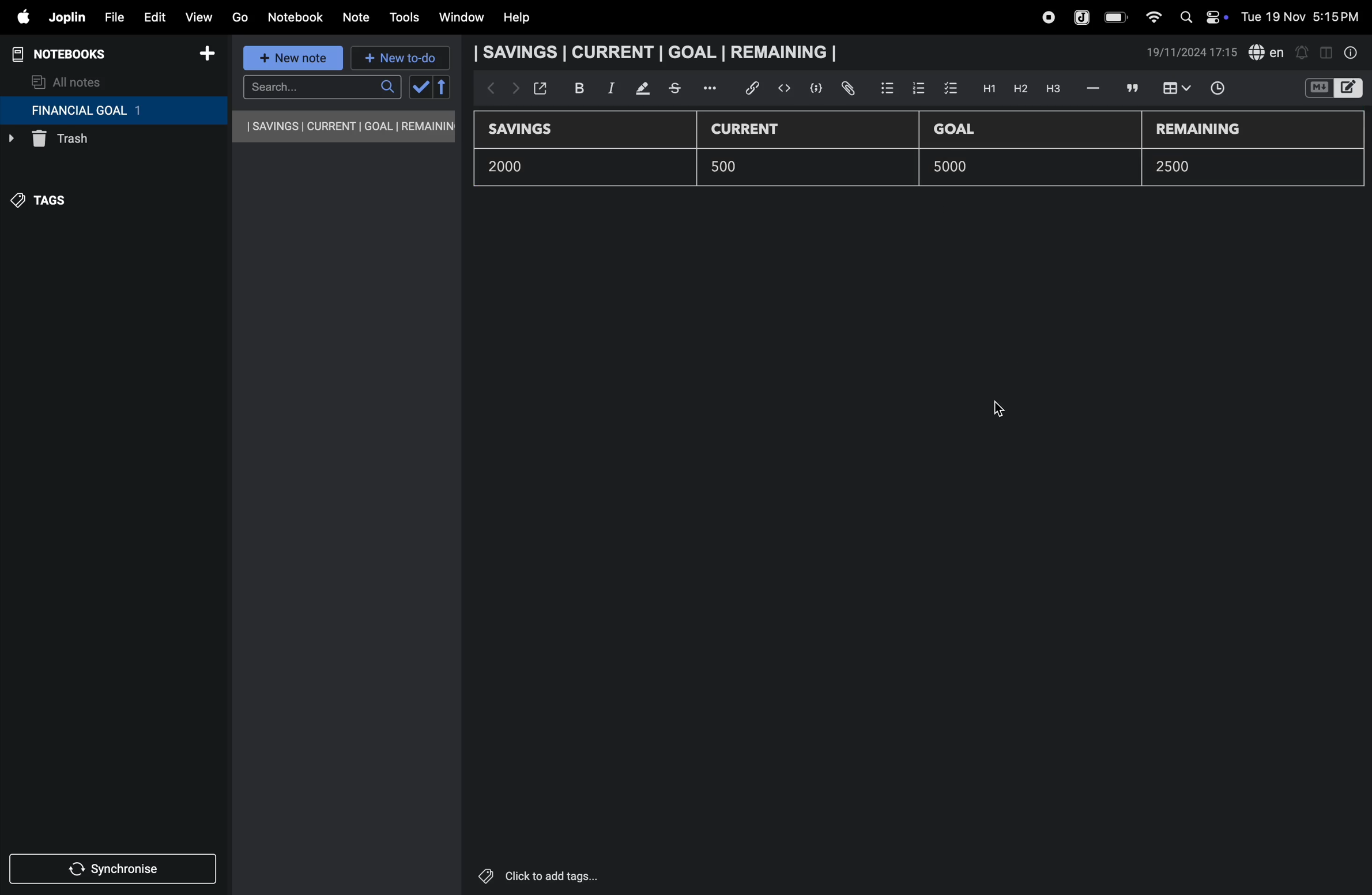 This screenshot has height=895, width=1372. Describe the element at coordinates (65, 17) in the screenshot. I see `joplin menu` at that location.